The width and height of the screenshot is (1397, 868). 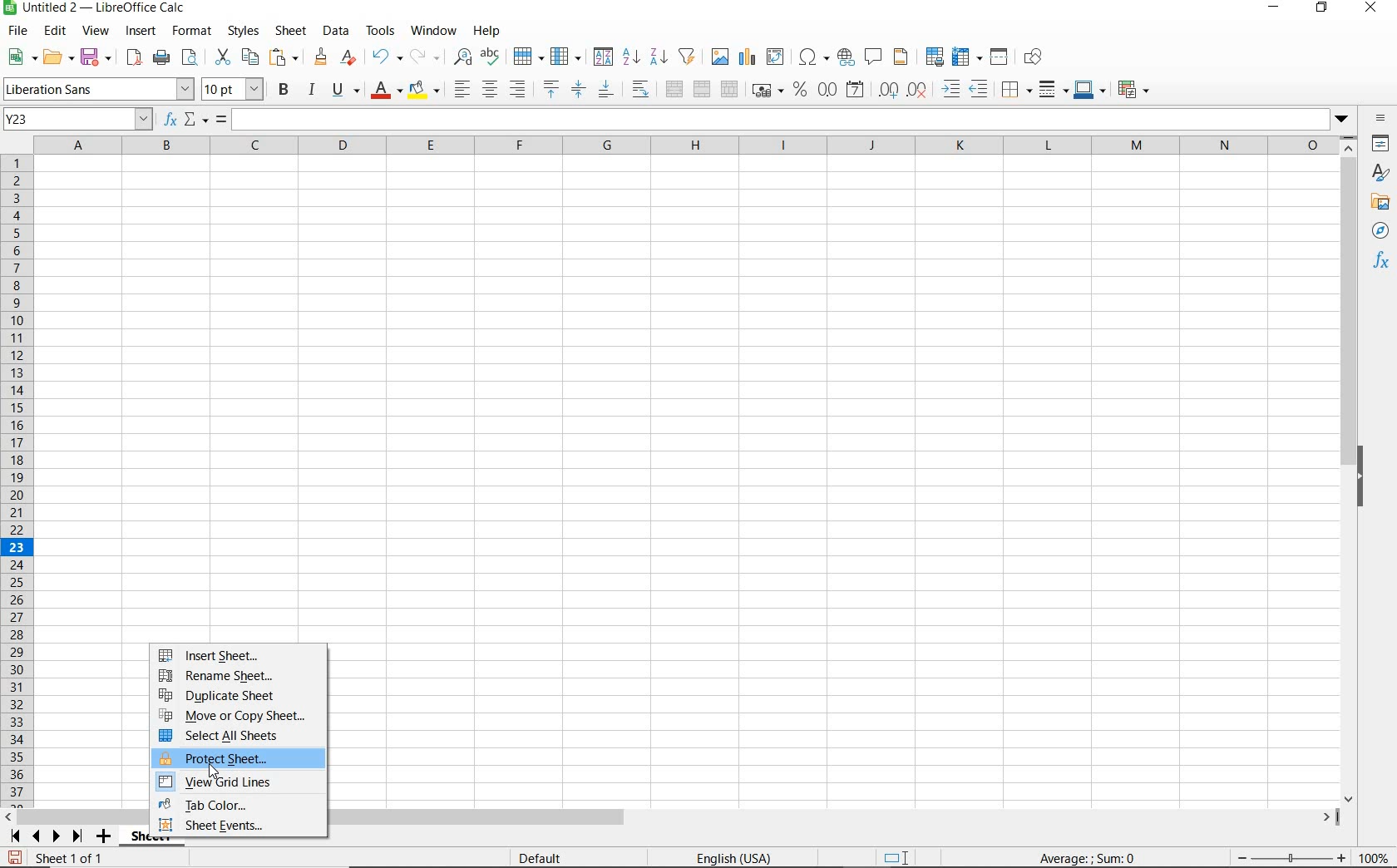 I want to click on SHEET, so click(x=289, y=32).